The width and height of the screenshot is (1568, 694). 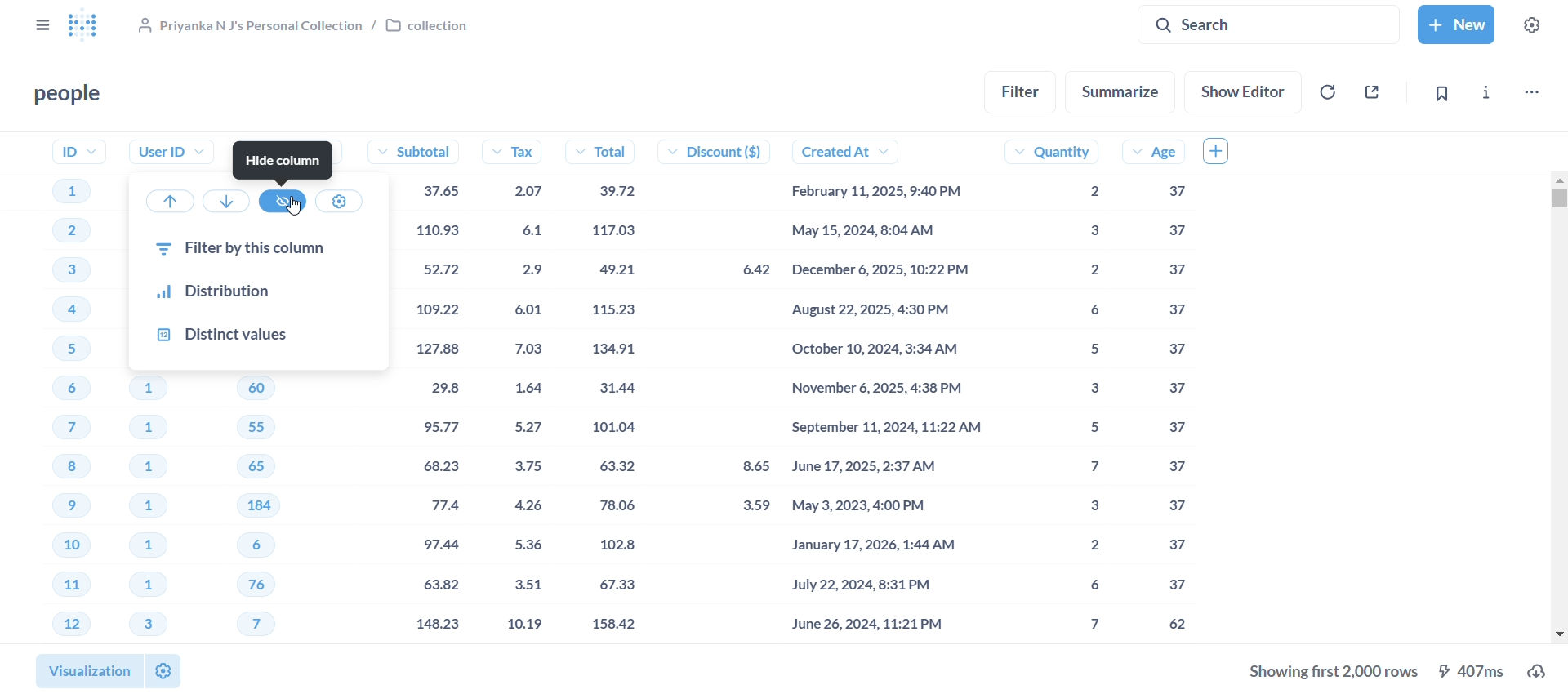 What do you see at coordinates (1330, 91) in the screenshot?
I see `auto-refresh` at bounding box center [1330, 91].